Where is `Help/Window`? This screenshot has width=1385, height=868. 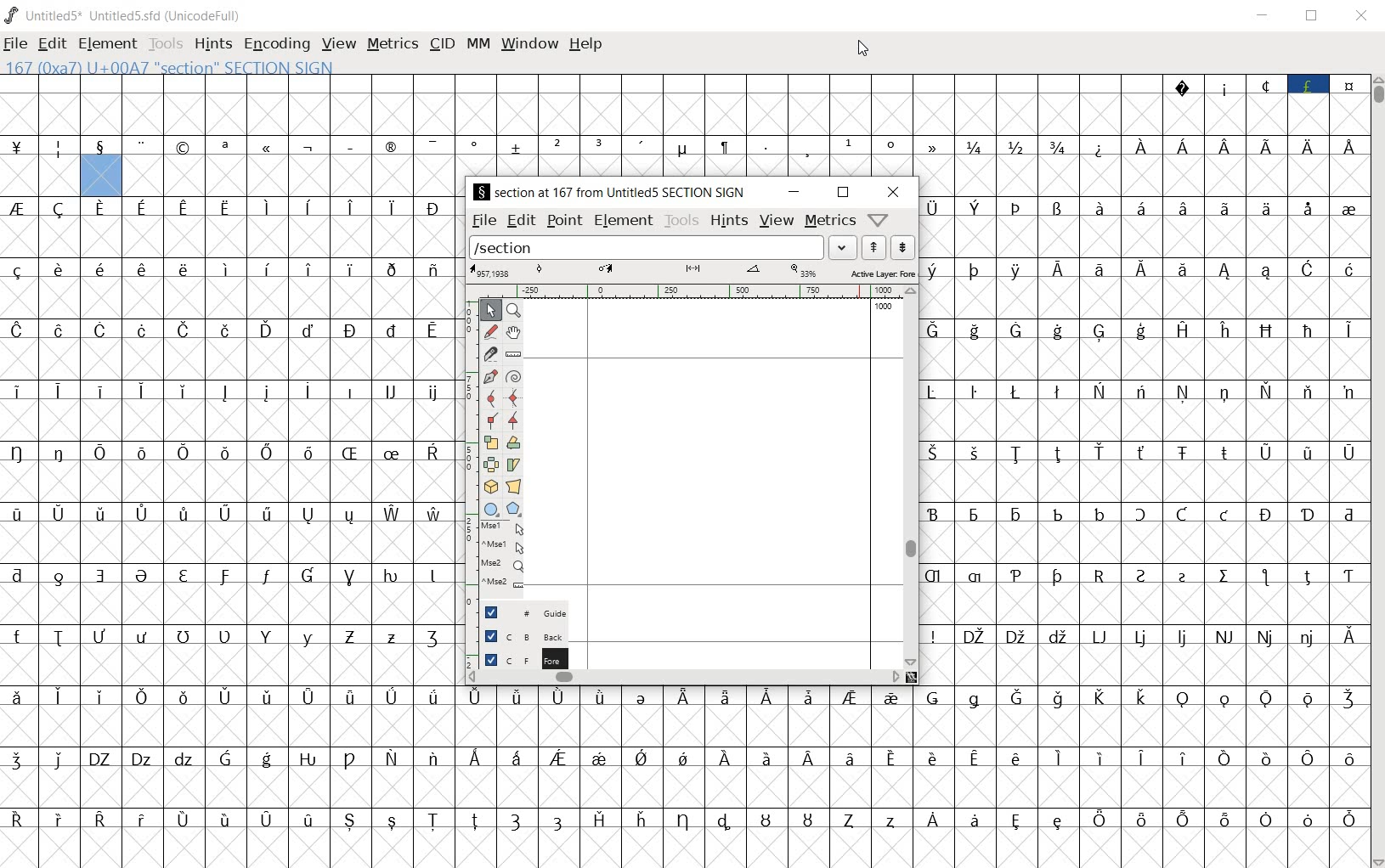
Help/Window is located at coordinates (879, 219).